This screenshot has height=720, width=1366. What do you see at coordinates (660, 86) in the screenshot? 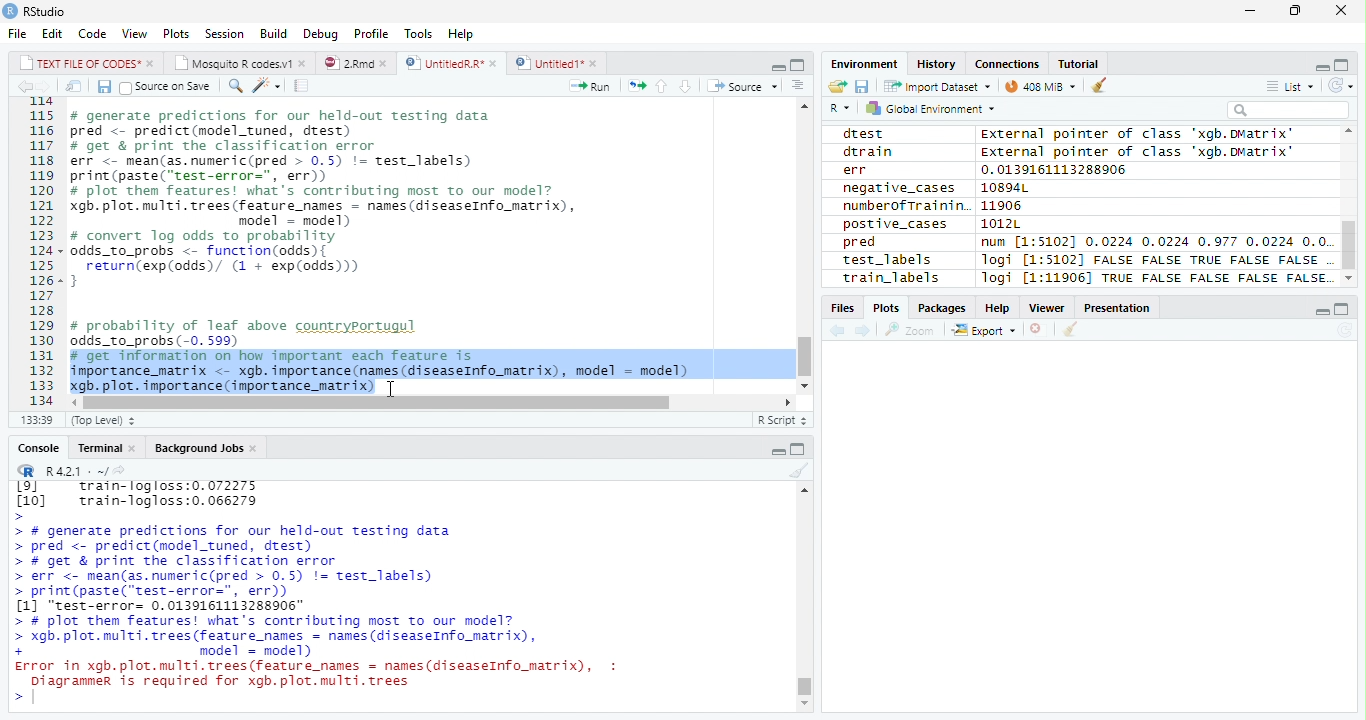
I see `Up` at bounding box center [660, 86].